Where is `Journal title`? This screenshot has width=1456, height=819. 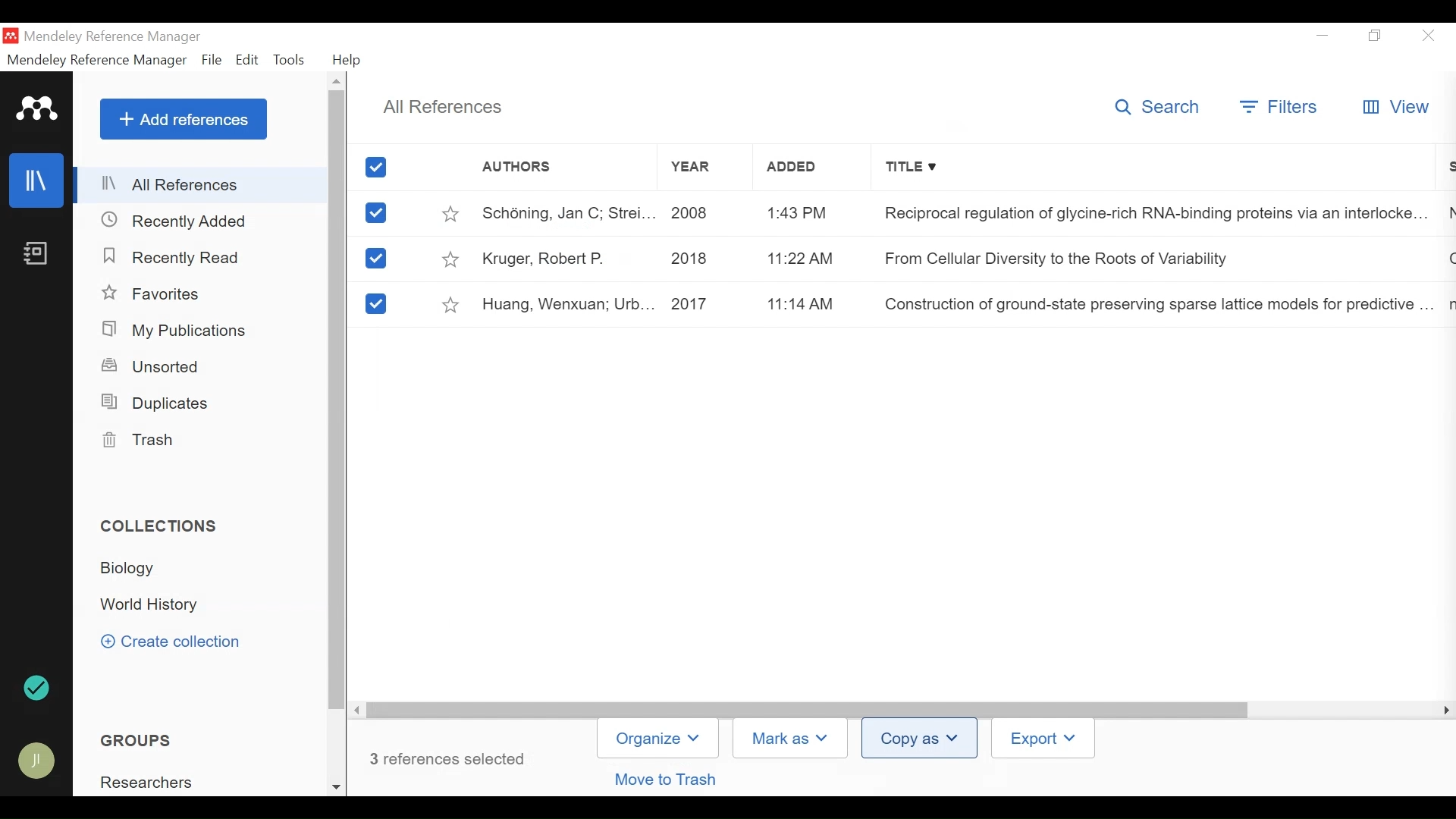
Journal title is located at coordinates (1149, 212).